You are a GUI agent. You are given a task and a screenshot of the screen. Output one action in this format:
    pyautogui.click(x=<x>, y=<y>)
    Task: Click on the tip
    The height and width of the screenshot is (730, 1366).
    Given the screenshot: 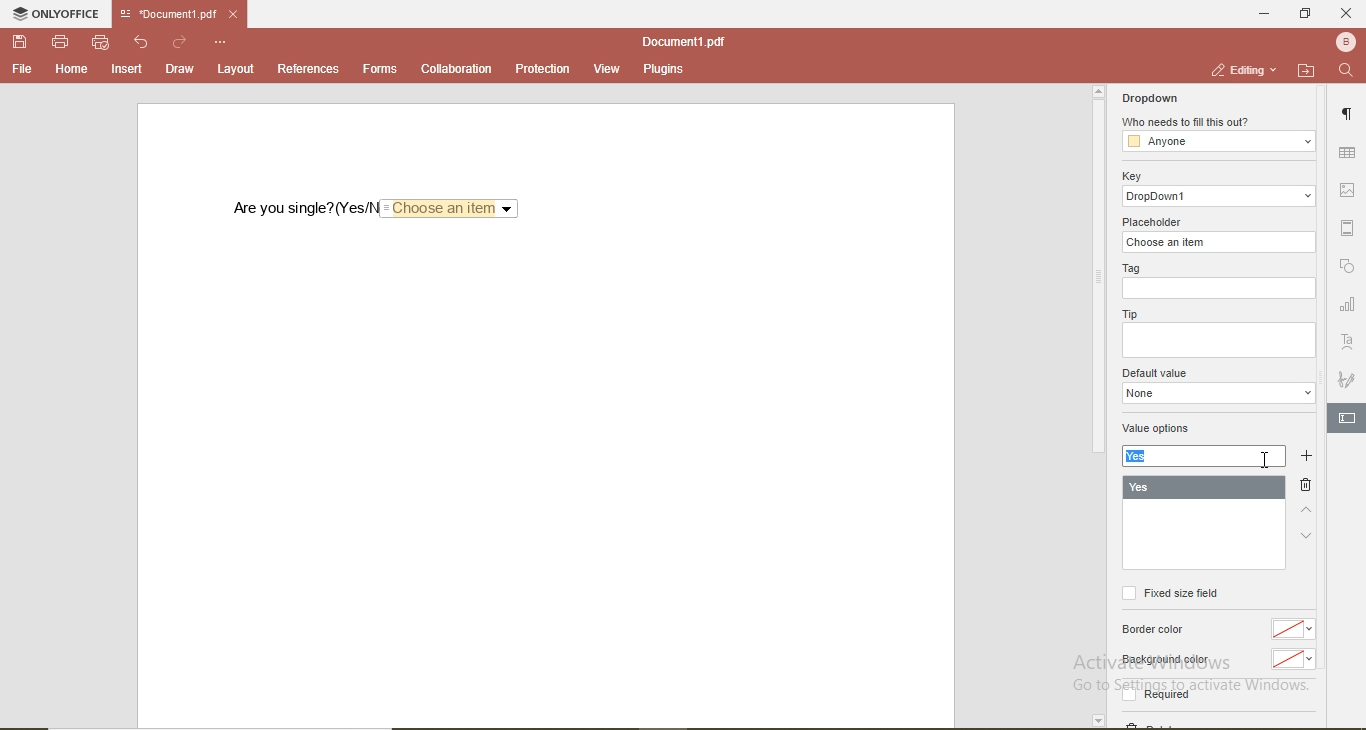 What is the action you would take?
    pyautogui.click(x=1129, y=313)
    